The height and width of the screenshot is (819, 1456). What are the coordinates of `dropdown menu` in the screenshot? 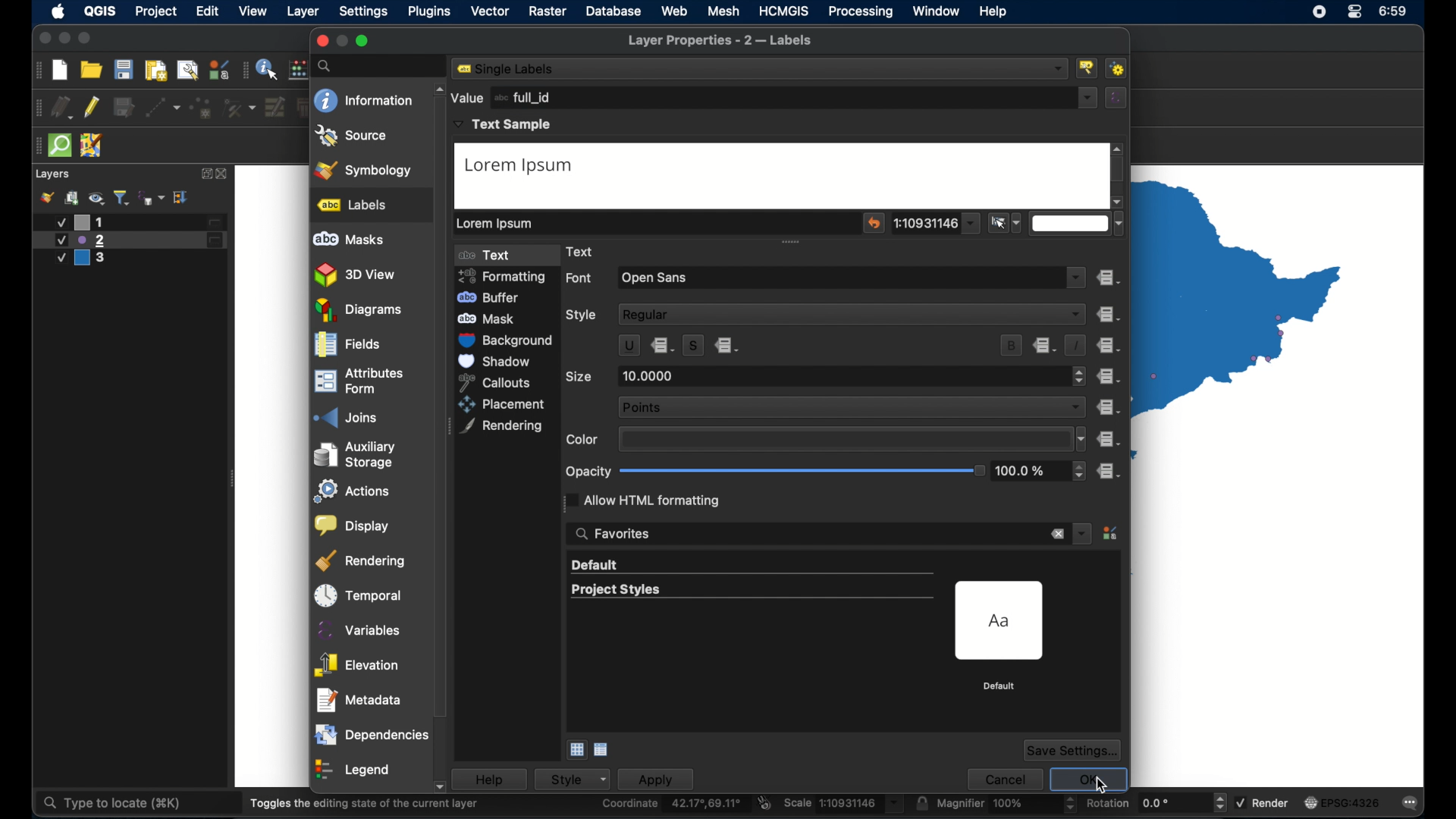 It's located at (1082, 532).